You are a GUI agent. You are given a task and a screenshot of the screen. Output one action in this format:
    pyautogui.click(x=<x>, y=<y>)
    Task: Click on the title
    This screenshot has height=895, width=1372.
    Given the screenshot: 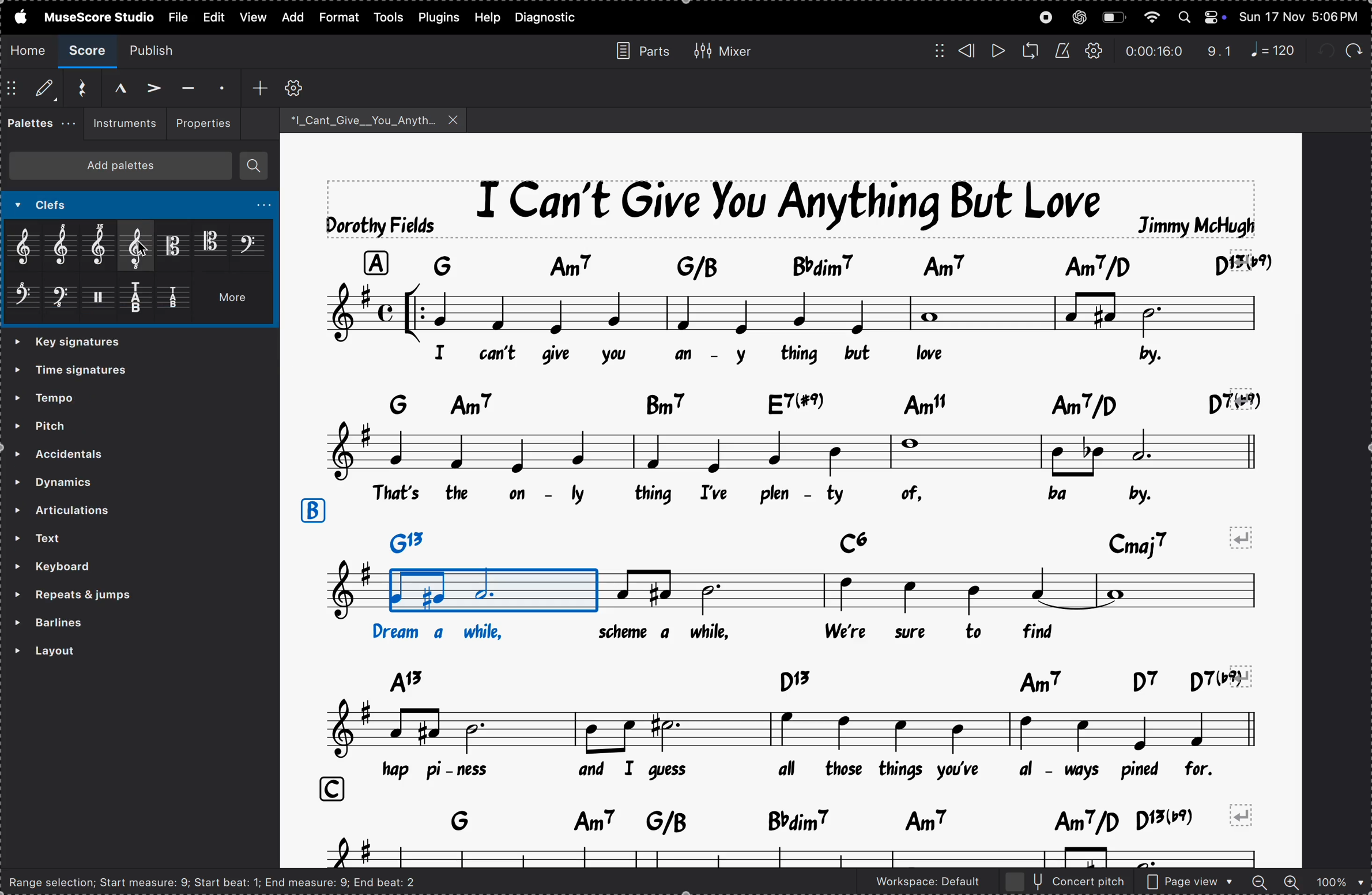 What is the action you would take?
    pyautogui.click(x=793, y=207)
    